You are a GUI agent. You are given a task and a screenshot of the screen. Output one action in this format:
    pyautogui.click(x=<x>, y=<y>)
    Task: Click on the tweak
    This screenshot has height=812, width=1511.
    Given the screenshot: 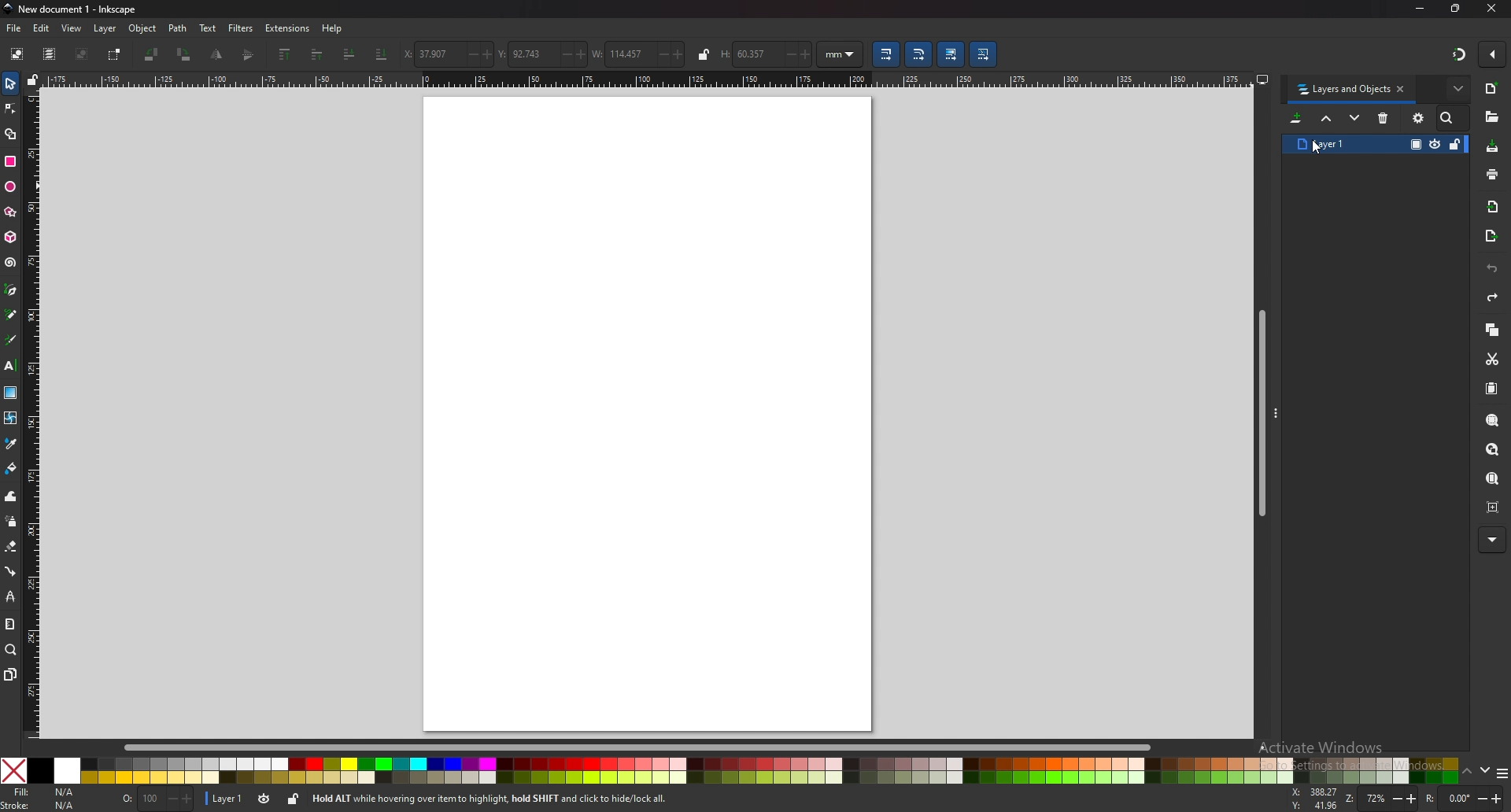 What is the action you would take?
    pyautogui.click(x=10, y=496)
    